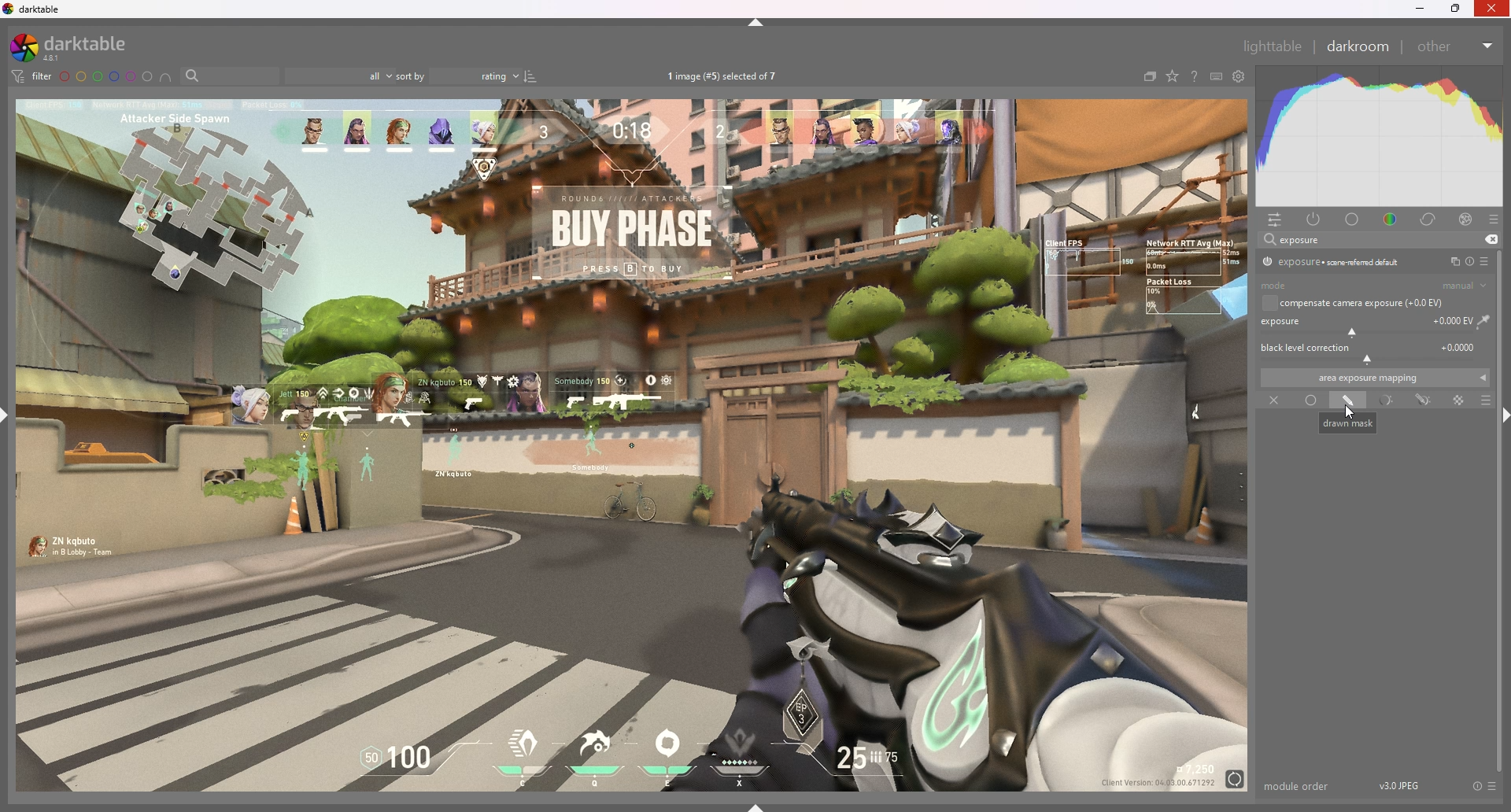  What do you see at coordinates (1459, 400) in the screenshot?
I see `raster mask` at bounding box center [1459, 400].